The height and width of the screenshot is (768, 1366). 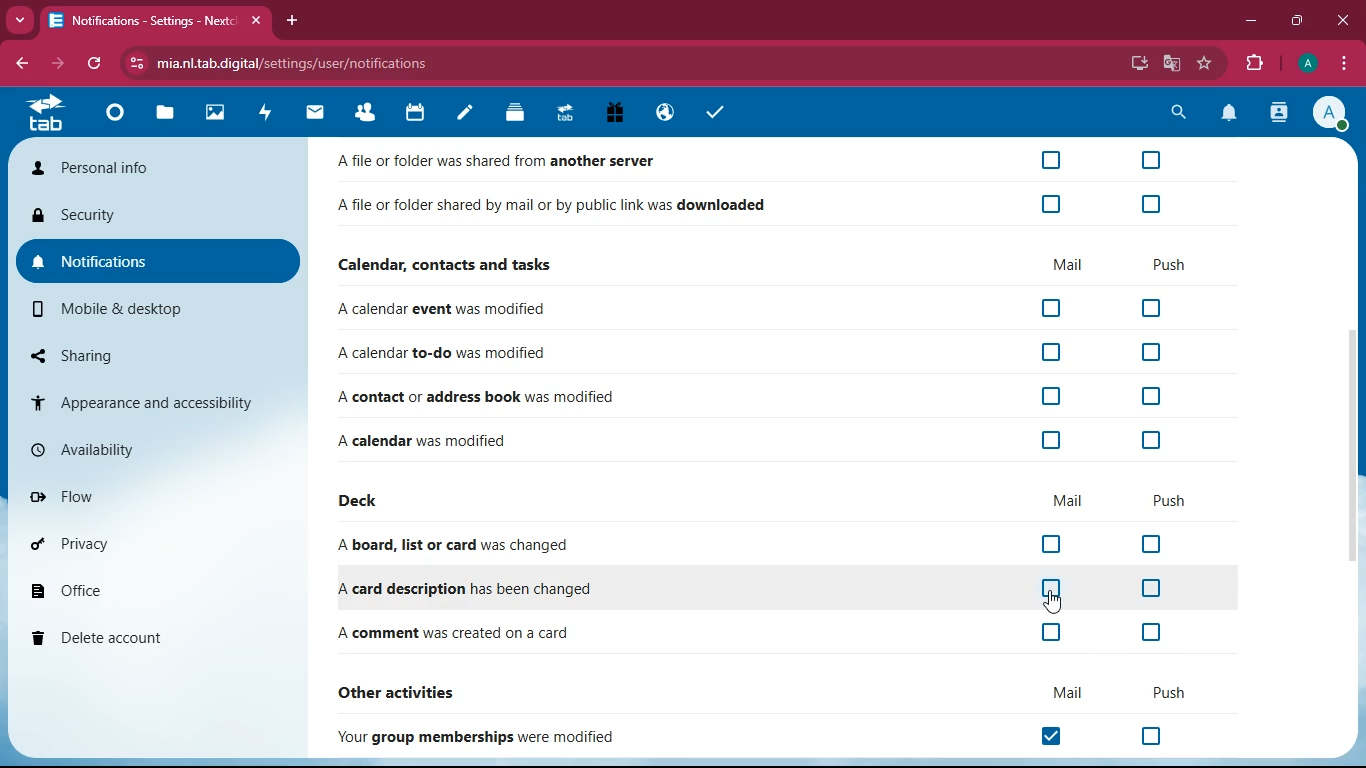 I want to click on activity, so click(x=1280, y=112).